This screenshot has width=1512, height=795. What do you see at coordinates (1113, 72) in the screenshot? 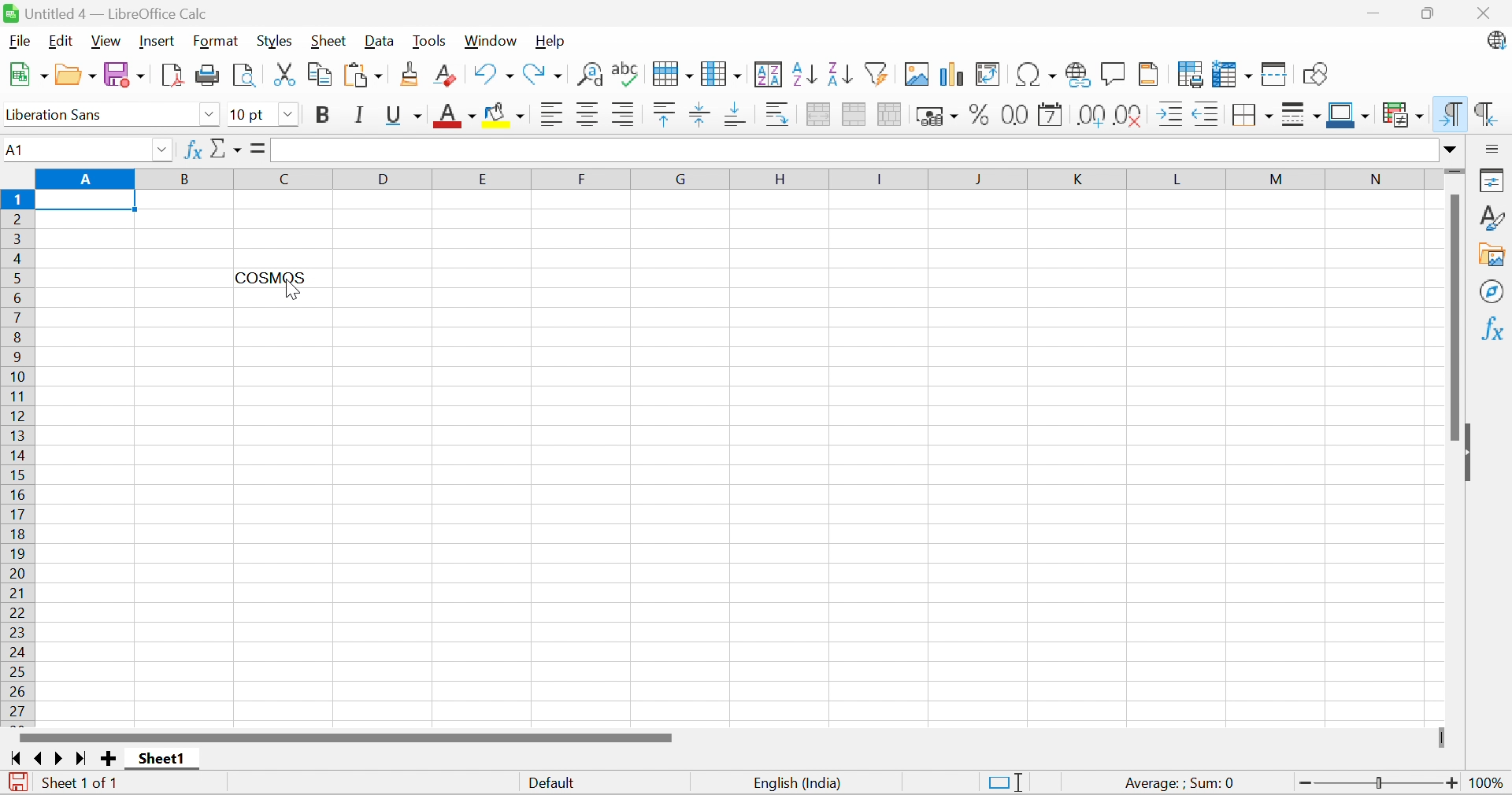
I see `Insert Comment` at bounding box center [1113, 72].